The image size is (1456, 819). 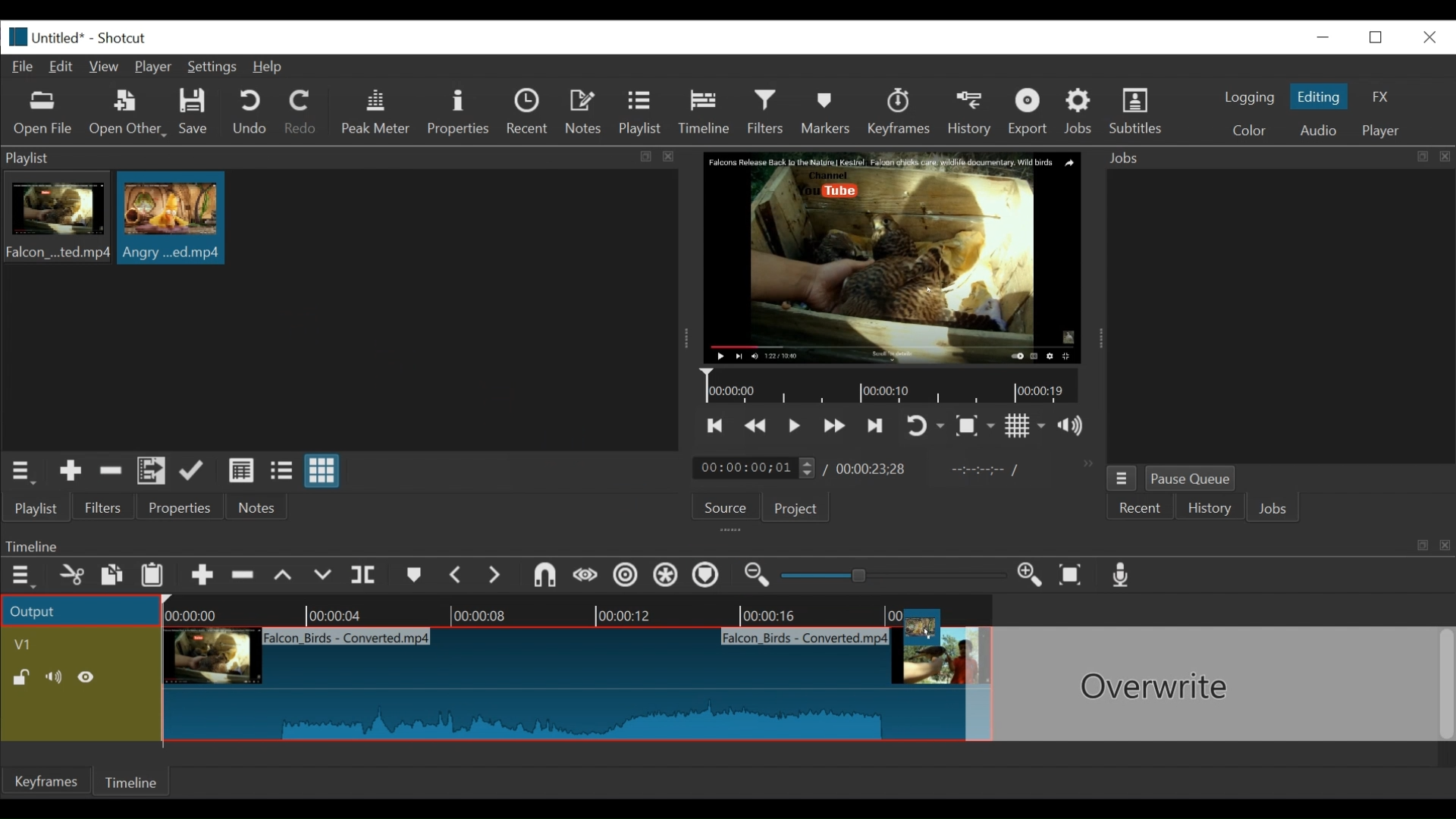 I want to click on Redo, so click(x=301, y=115).